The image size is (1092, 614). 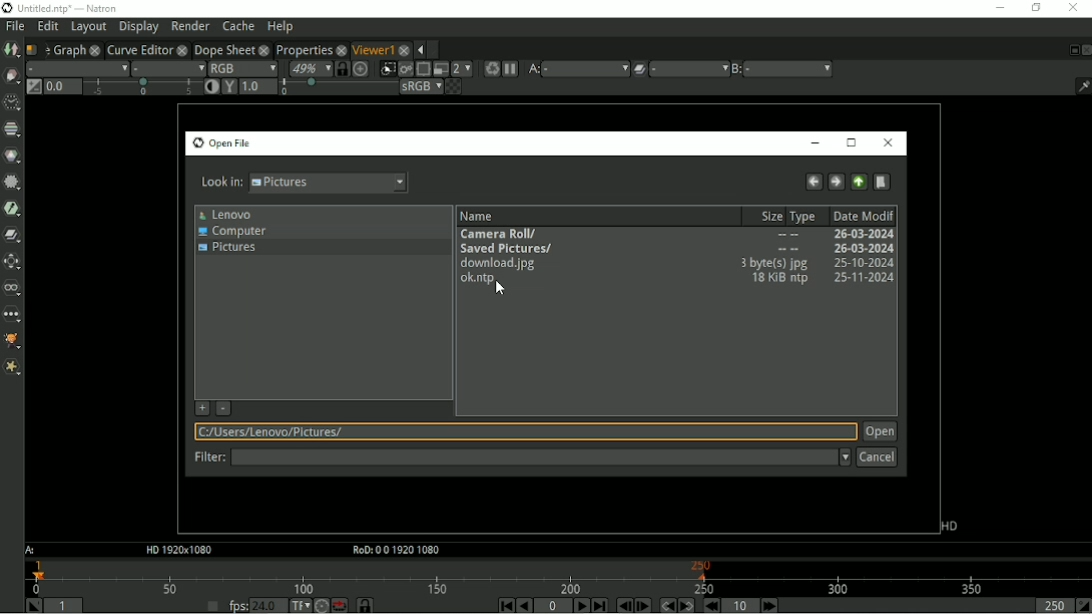 What do you see at coordinates (230, 249) in the screenshot?
I see `Pictures` at bounding box center [230, 249].